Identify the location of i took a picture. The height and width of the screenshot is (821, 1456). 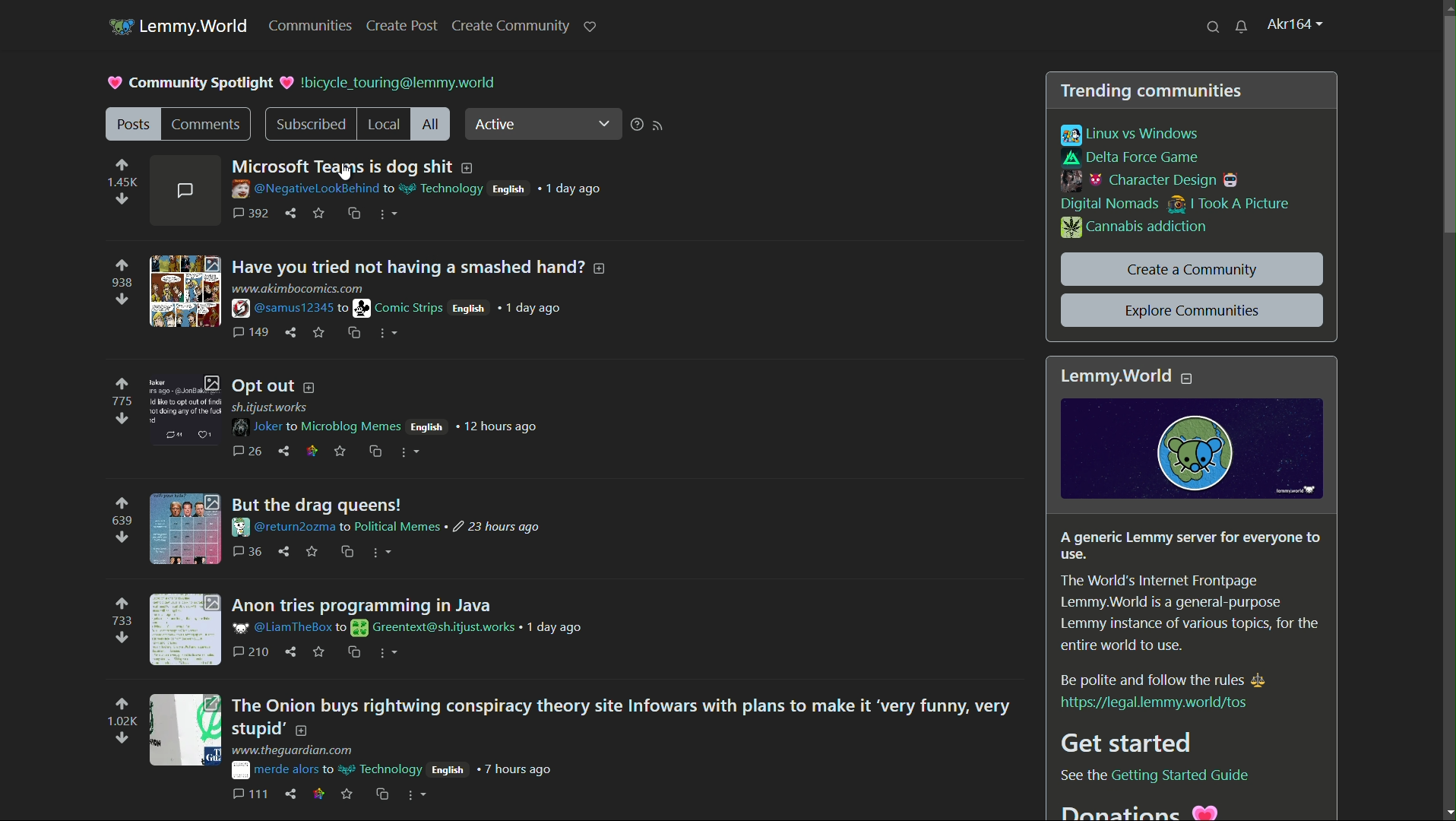
(1229, 206).